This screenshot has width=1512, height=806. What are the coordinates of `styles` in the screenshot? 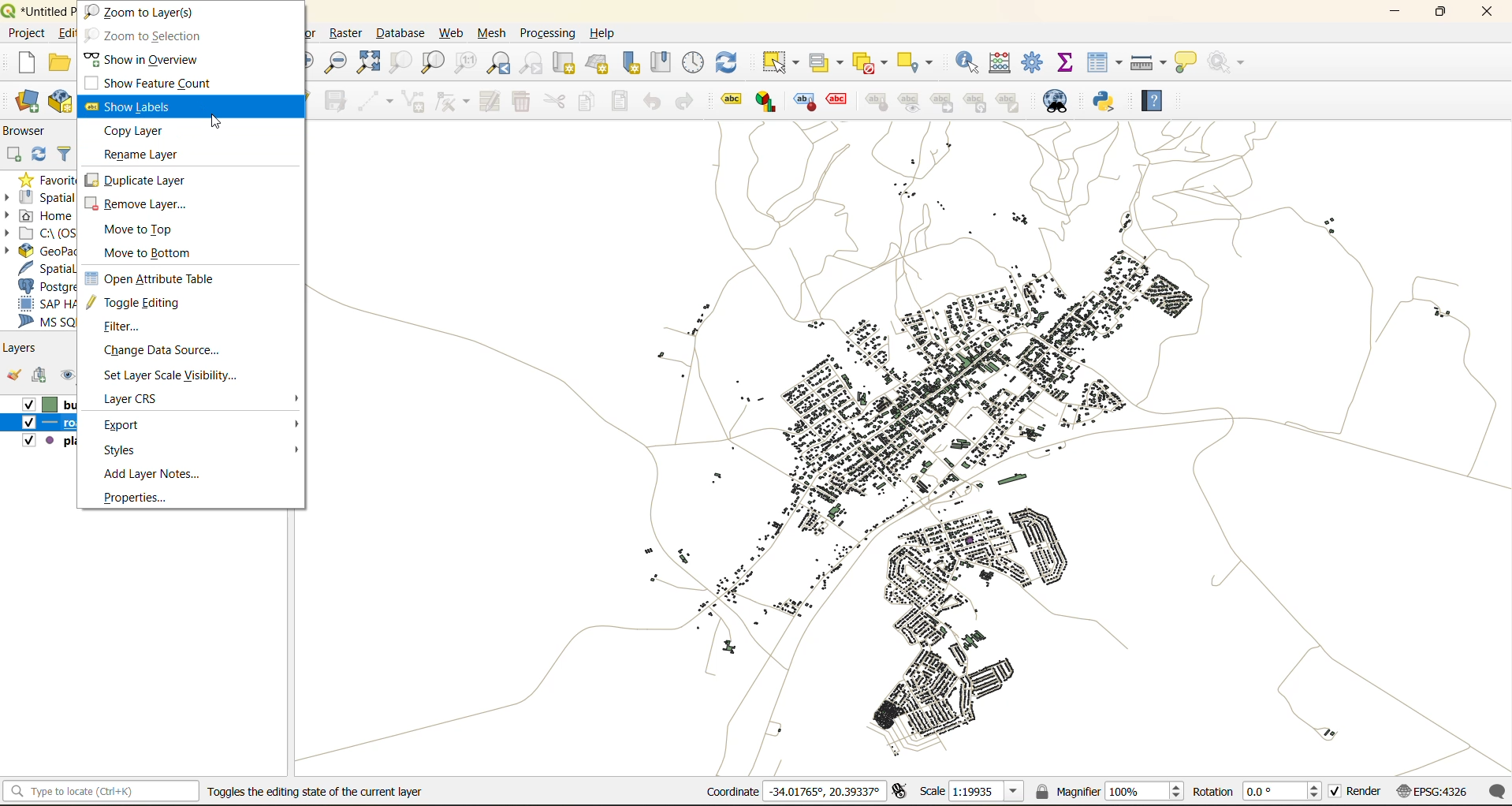 It's located at (127, 450).